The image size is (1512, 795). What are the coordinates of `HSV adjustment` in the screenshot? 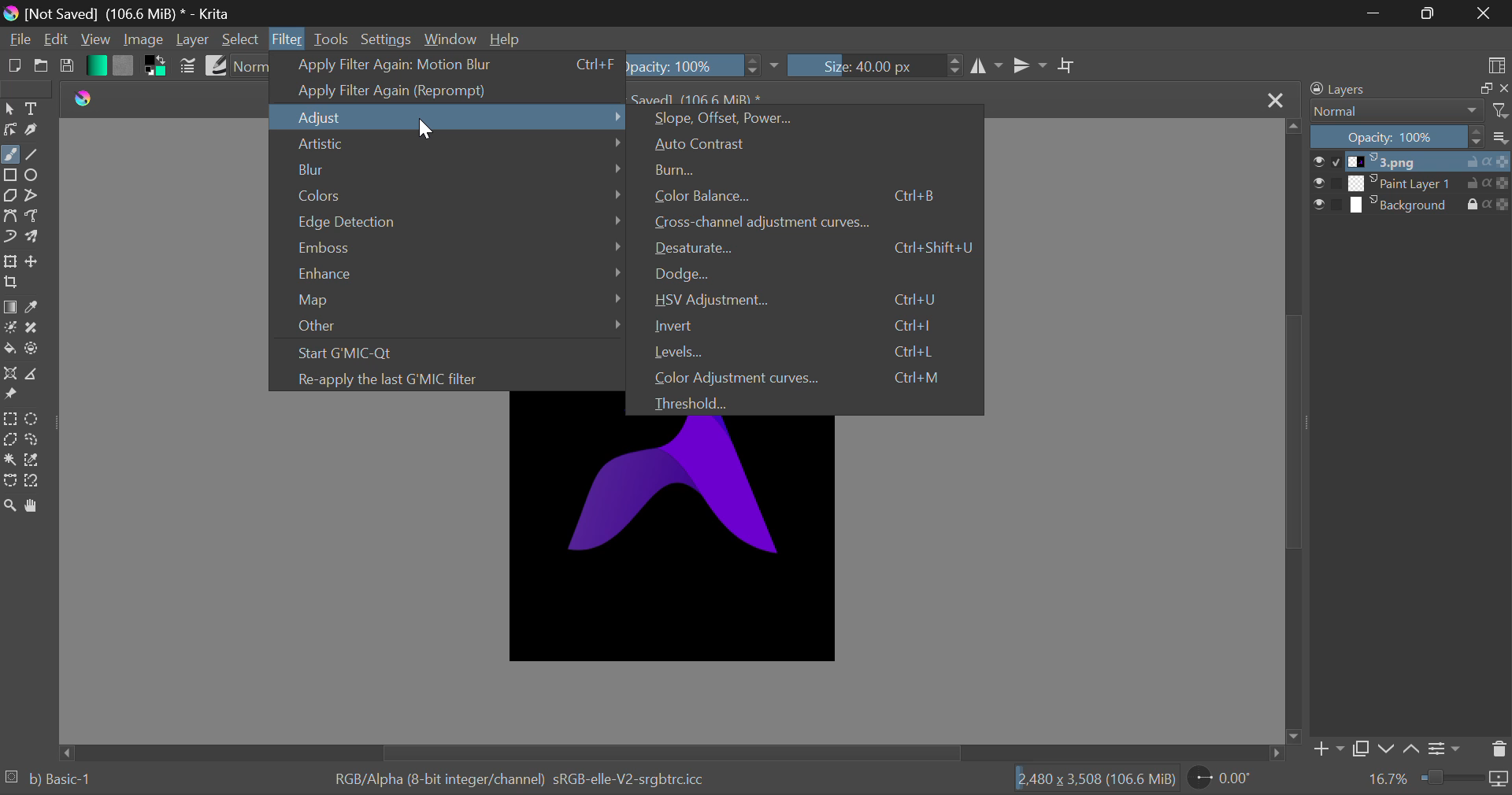 It's located at (810, 301).